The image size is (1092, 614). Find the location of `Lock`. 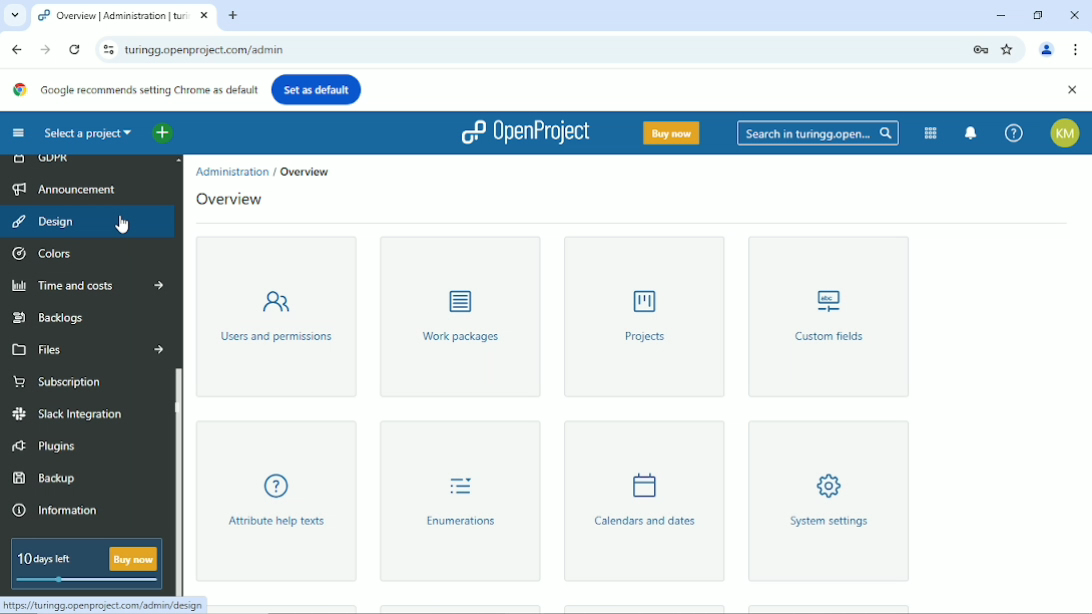

Lock is located at coordinates (980, 48).